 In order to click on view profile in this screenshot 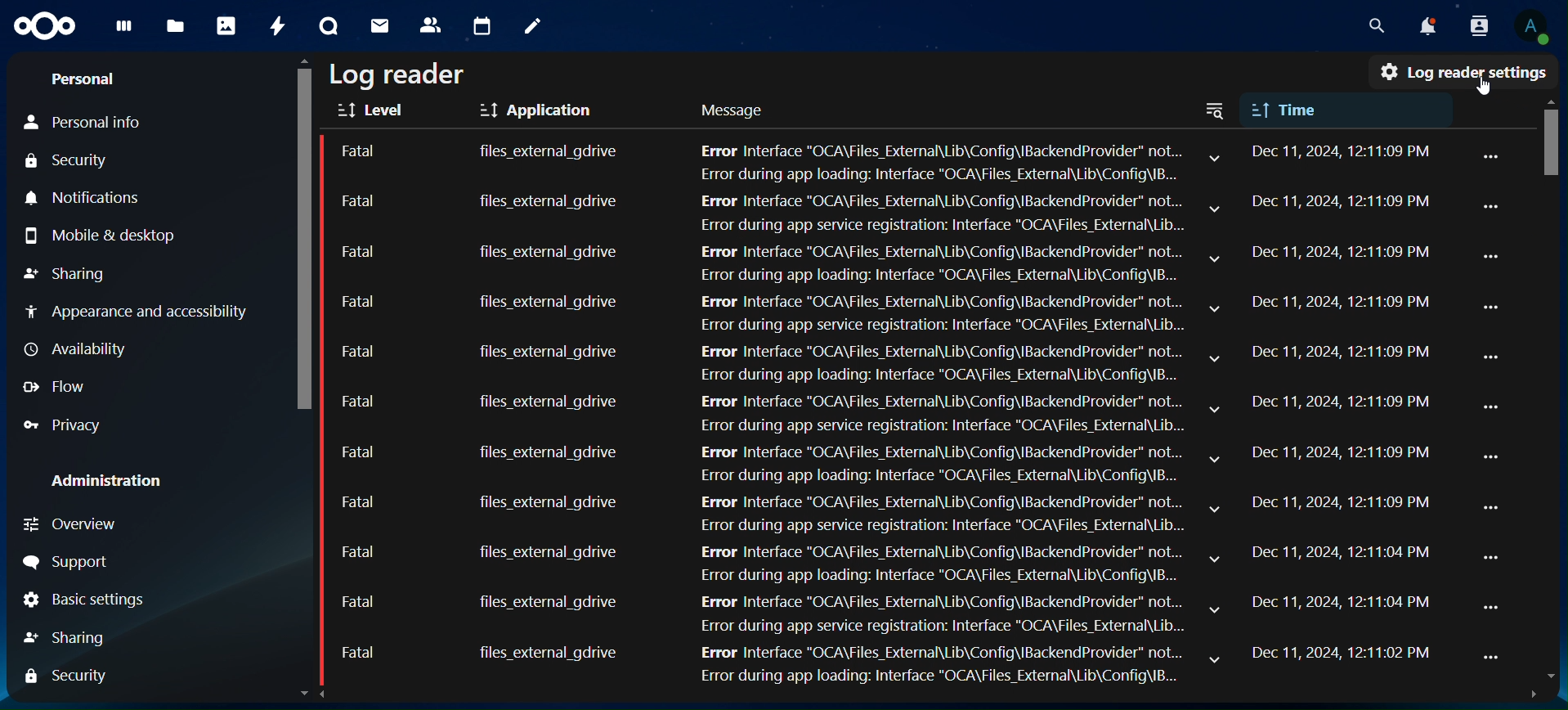, I will do `click(1530, 28)`.